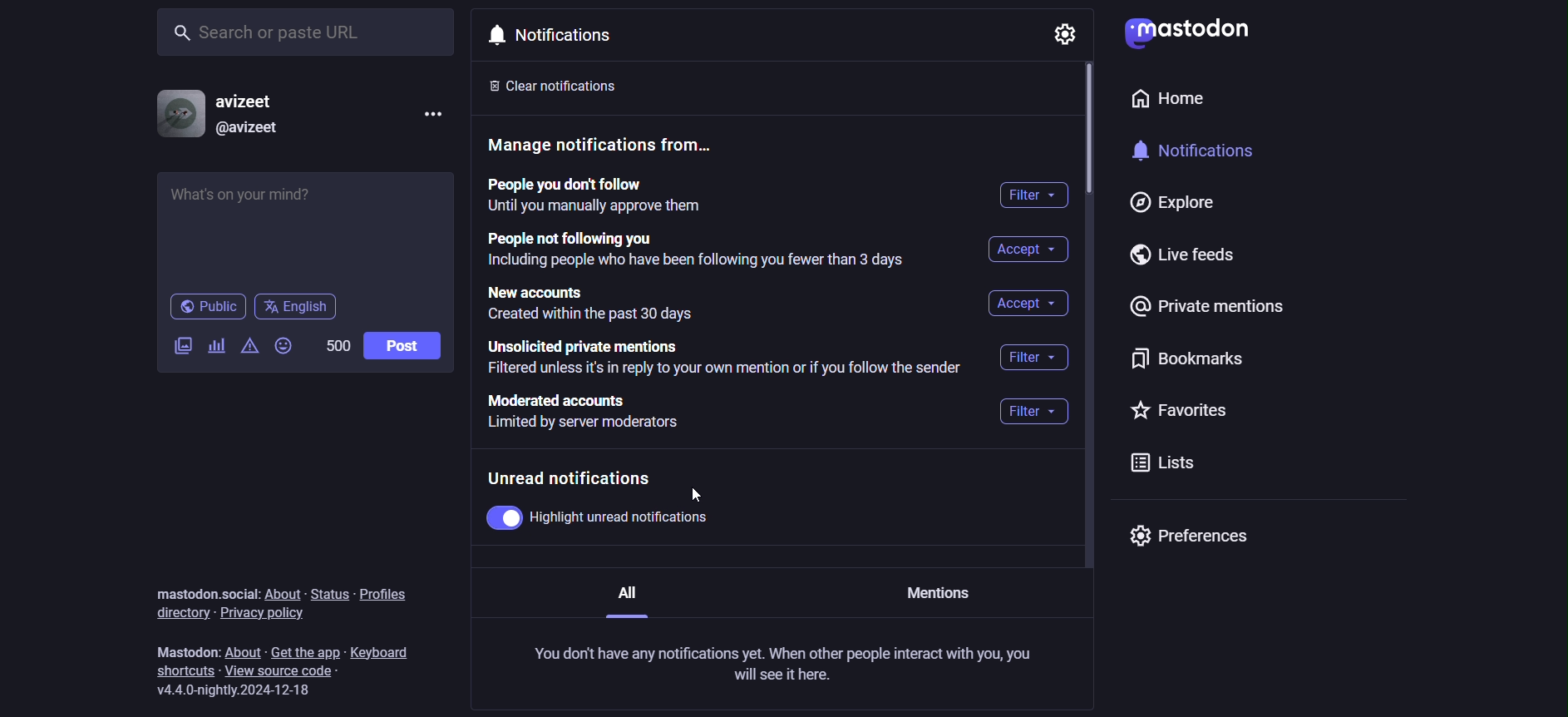  What do you see at coordinates (217, 347) in the screenshot?
I see `add poll` at bounding box center [217, 347].